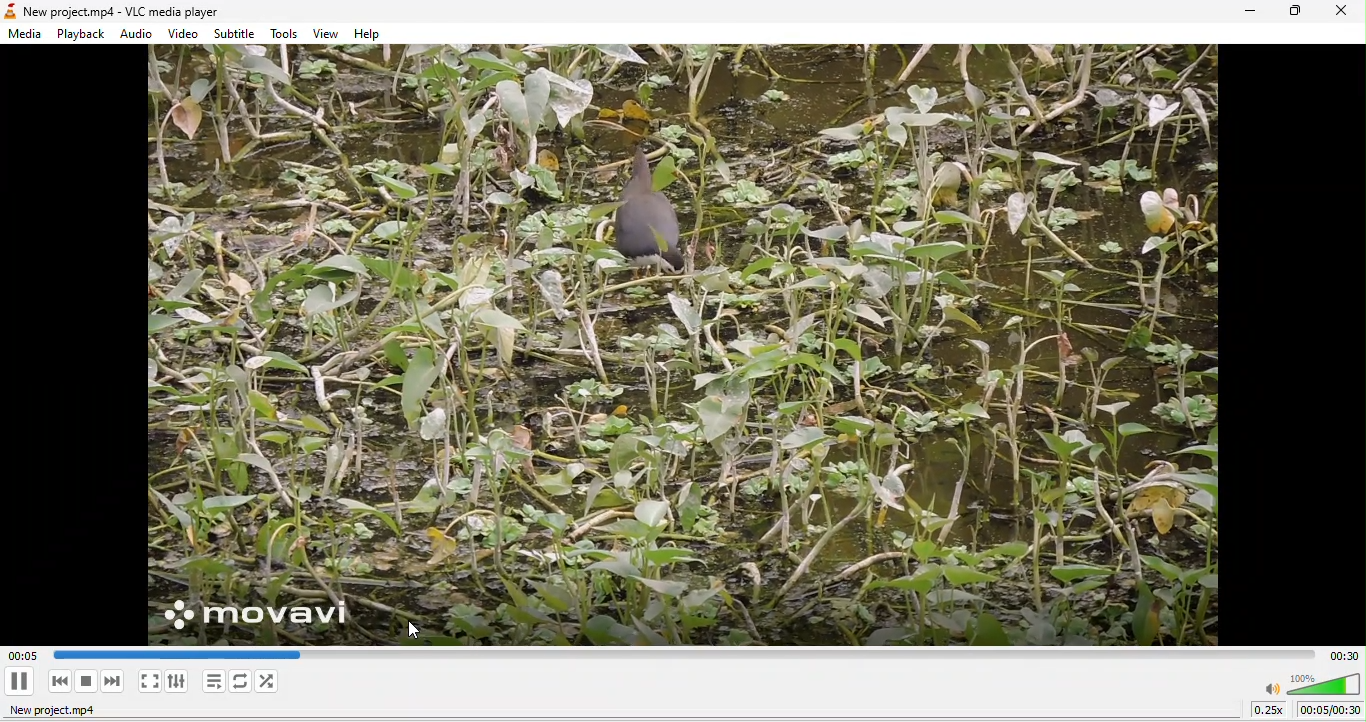  I want to click on previous media, so click(56, 682).